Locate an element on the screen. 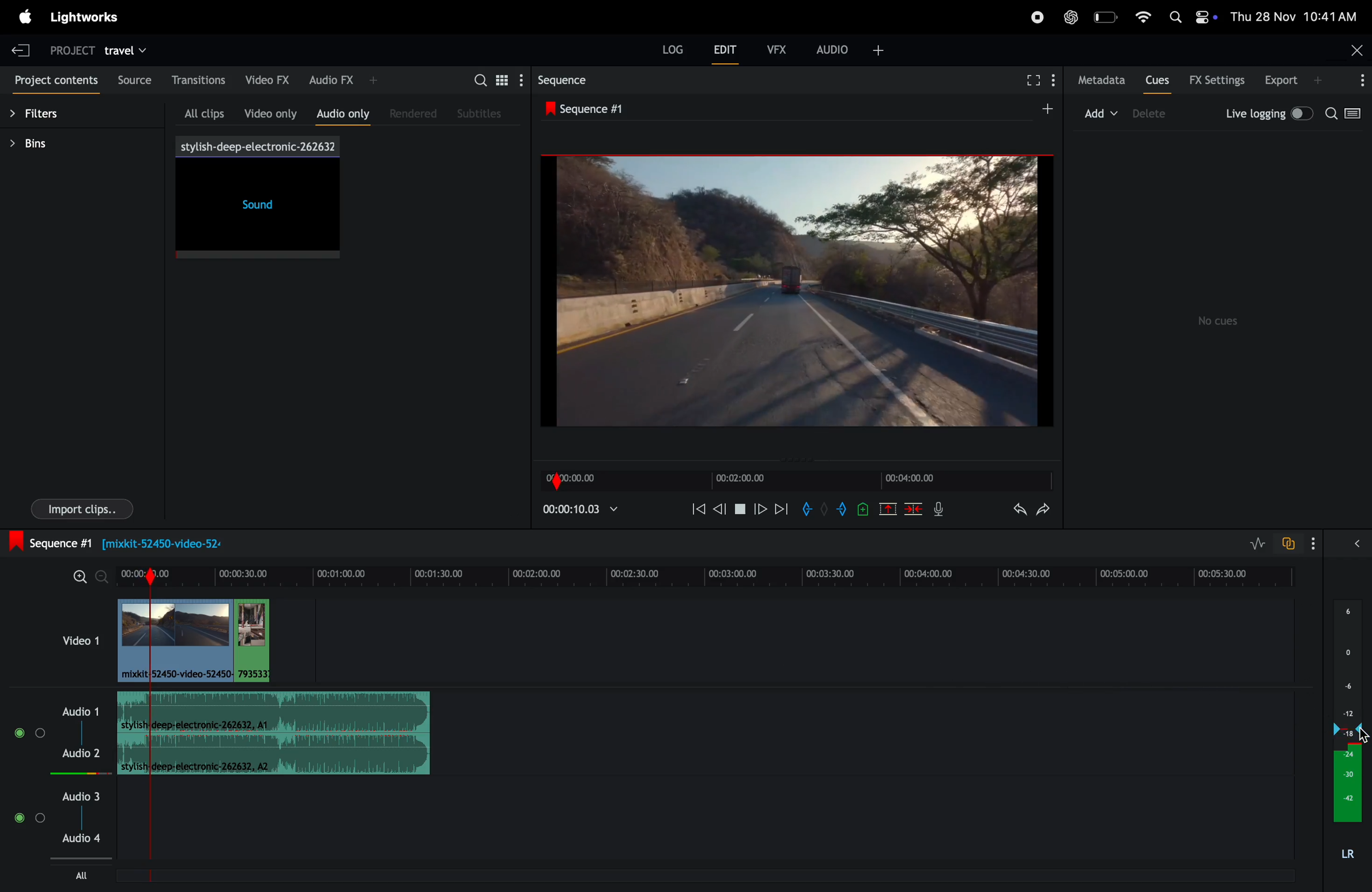  Pointer Cursor is located at coordinates (1360, 735).